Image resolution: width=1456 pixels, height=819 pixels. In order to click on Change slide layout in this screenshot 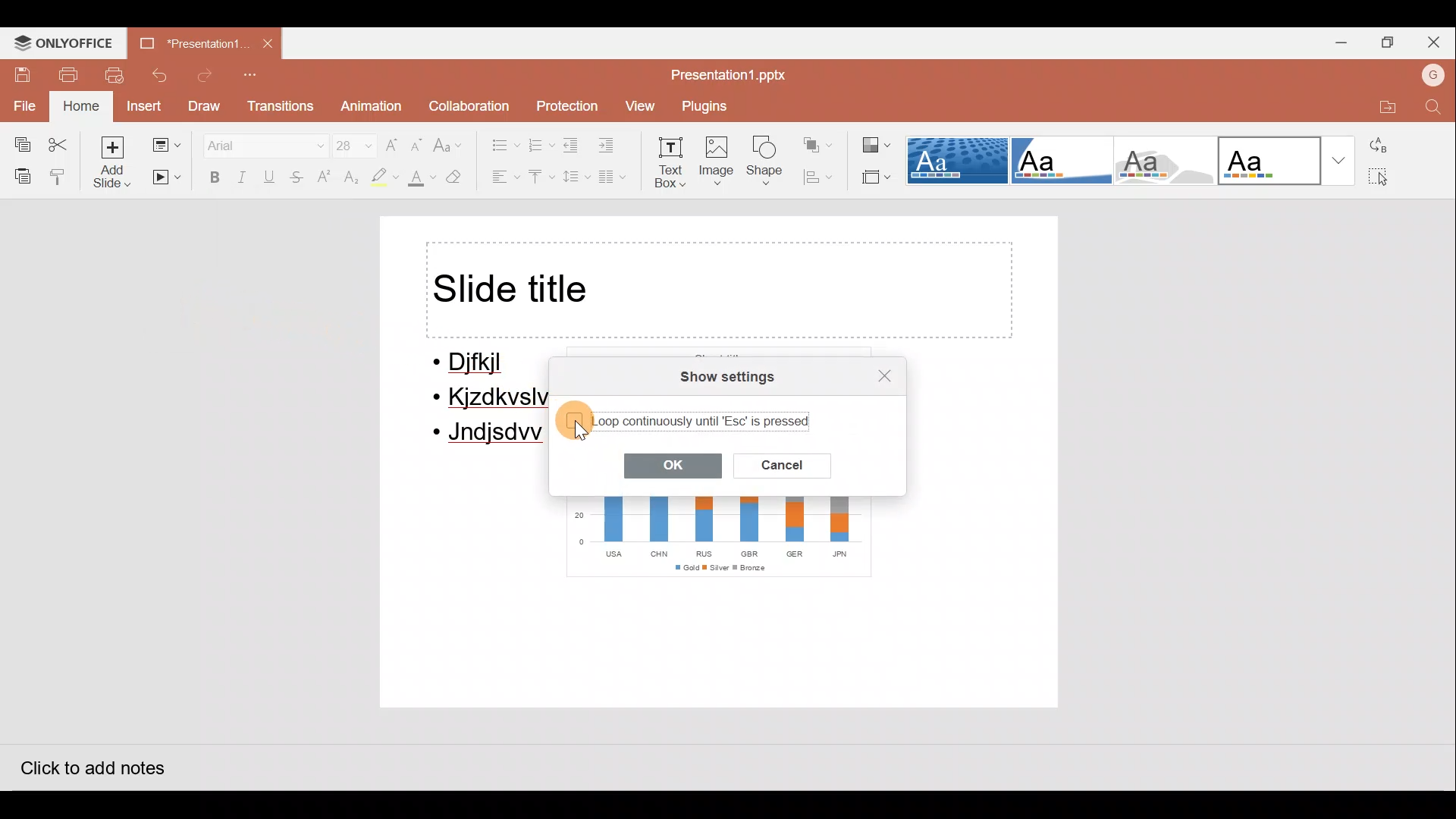, I will do `click(168, 146)`.